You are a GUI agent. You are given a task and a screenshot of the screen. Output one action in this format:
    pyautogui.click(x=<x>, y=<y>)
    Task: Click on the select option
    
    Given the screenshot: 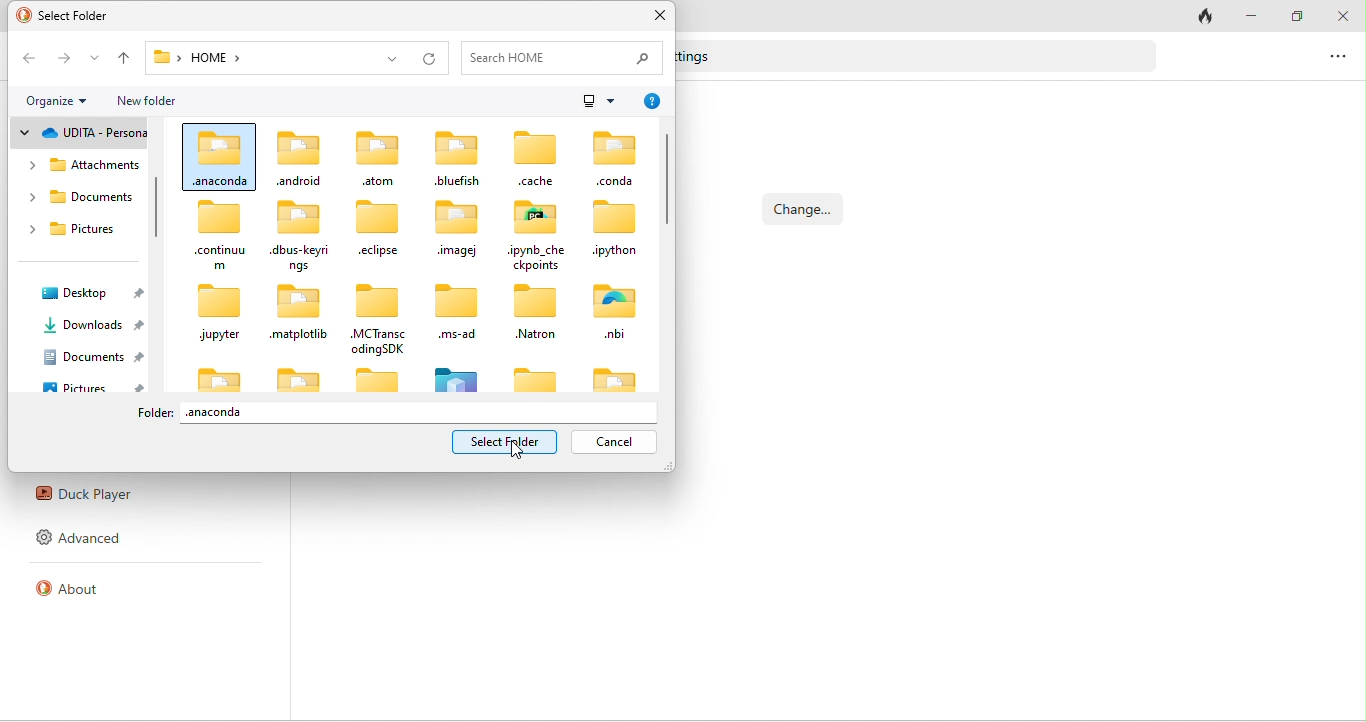 What is the action you would take?
    pyautogui.click(x=502, y=445)
    